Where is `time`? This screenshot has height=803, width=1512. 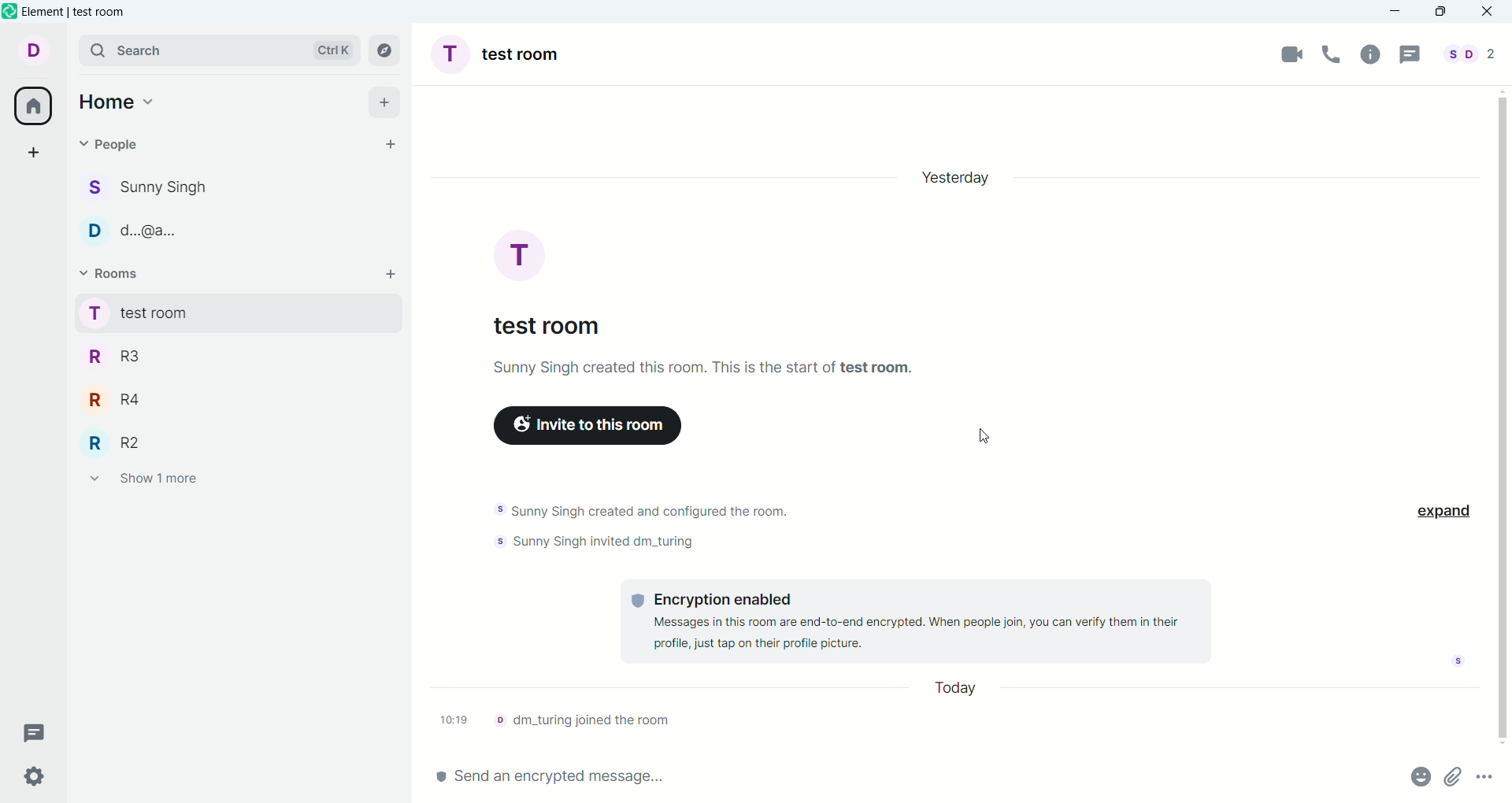
time is located at coordinates (452, 720).